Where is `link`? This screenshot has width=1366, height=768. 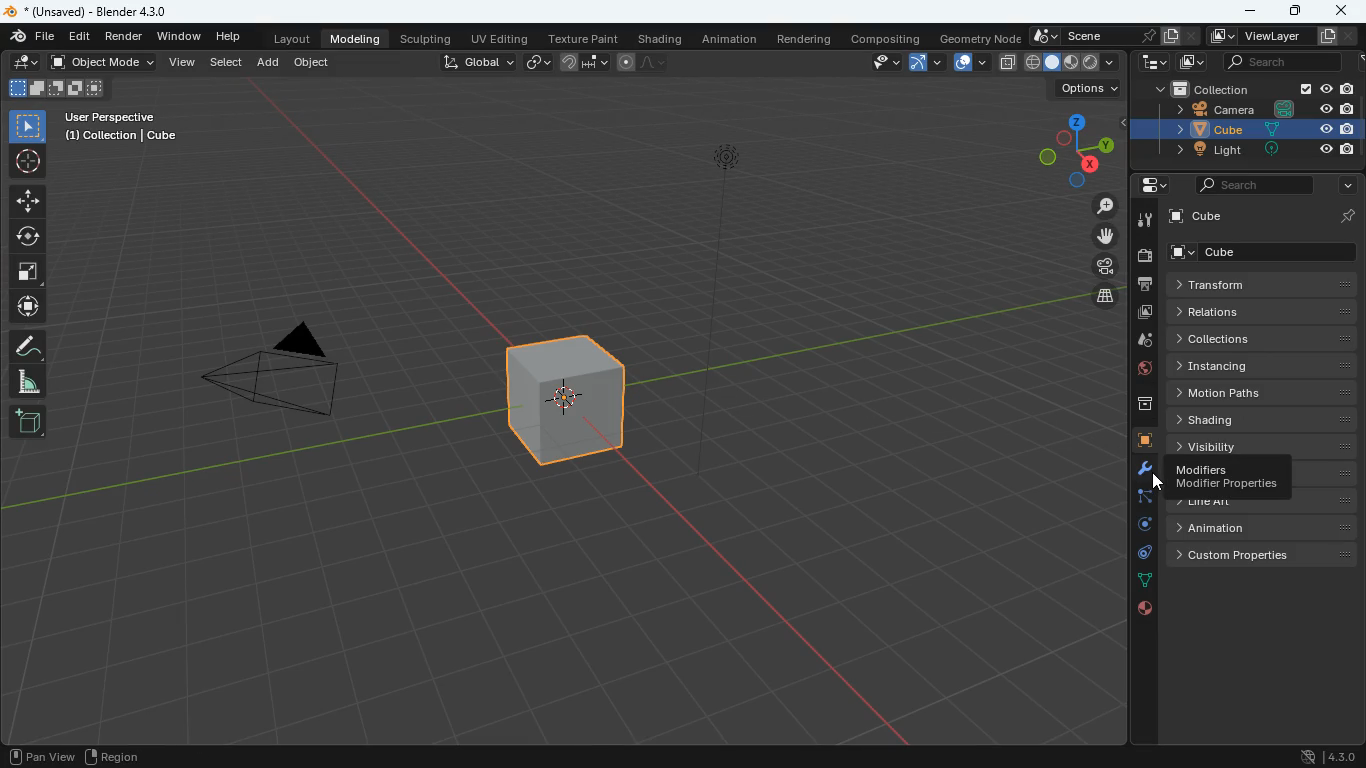 link is located at coordinates (535, 61).